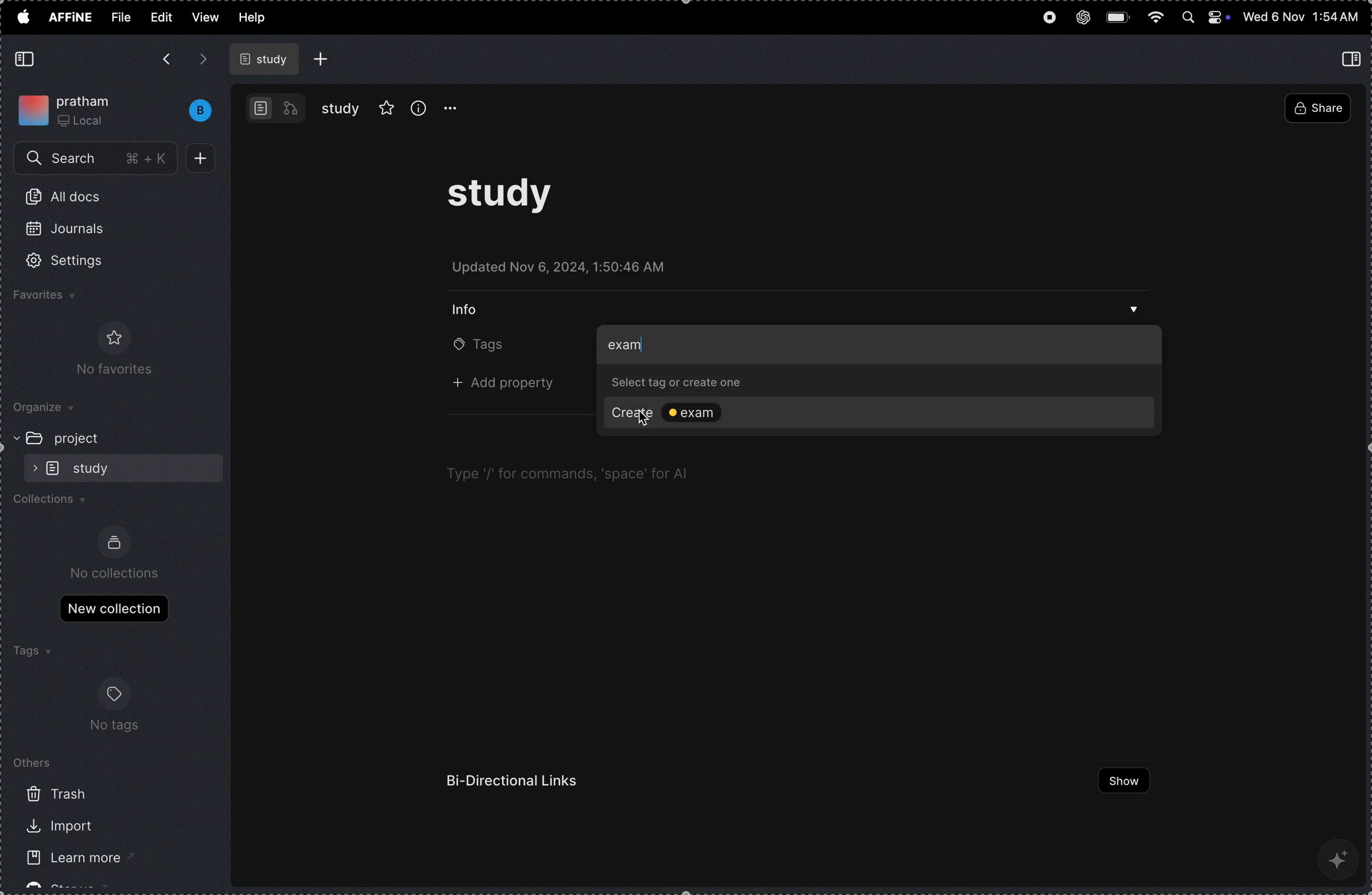  I want to click on add, so click(205, 159).